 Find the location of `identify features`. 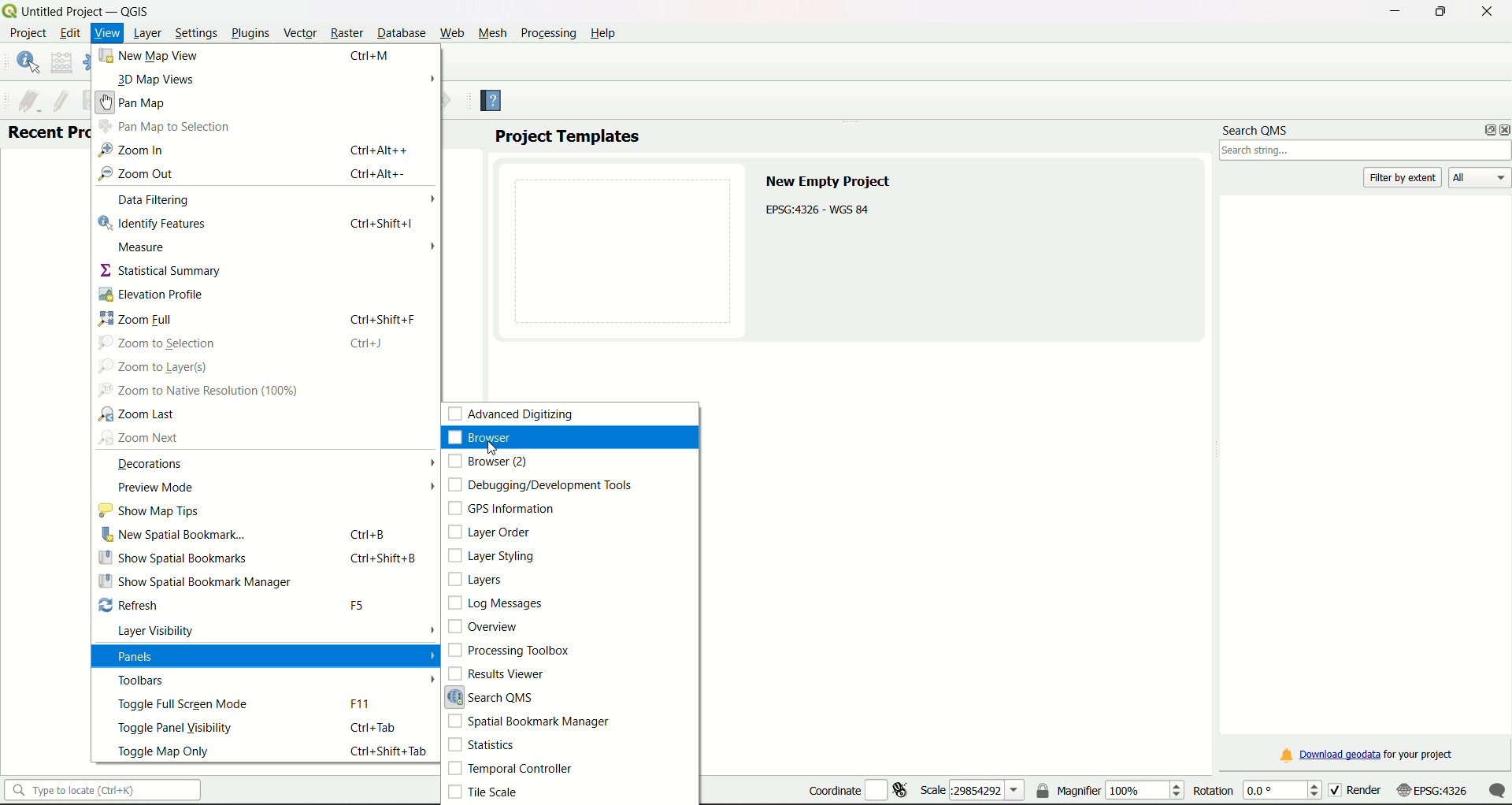

identify features is located at coordinates (27, 61).